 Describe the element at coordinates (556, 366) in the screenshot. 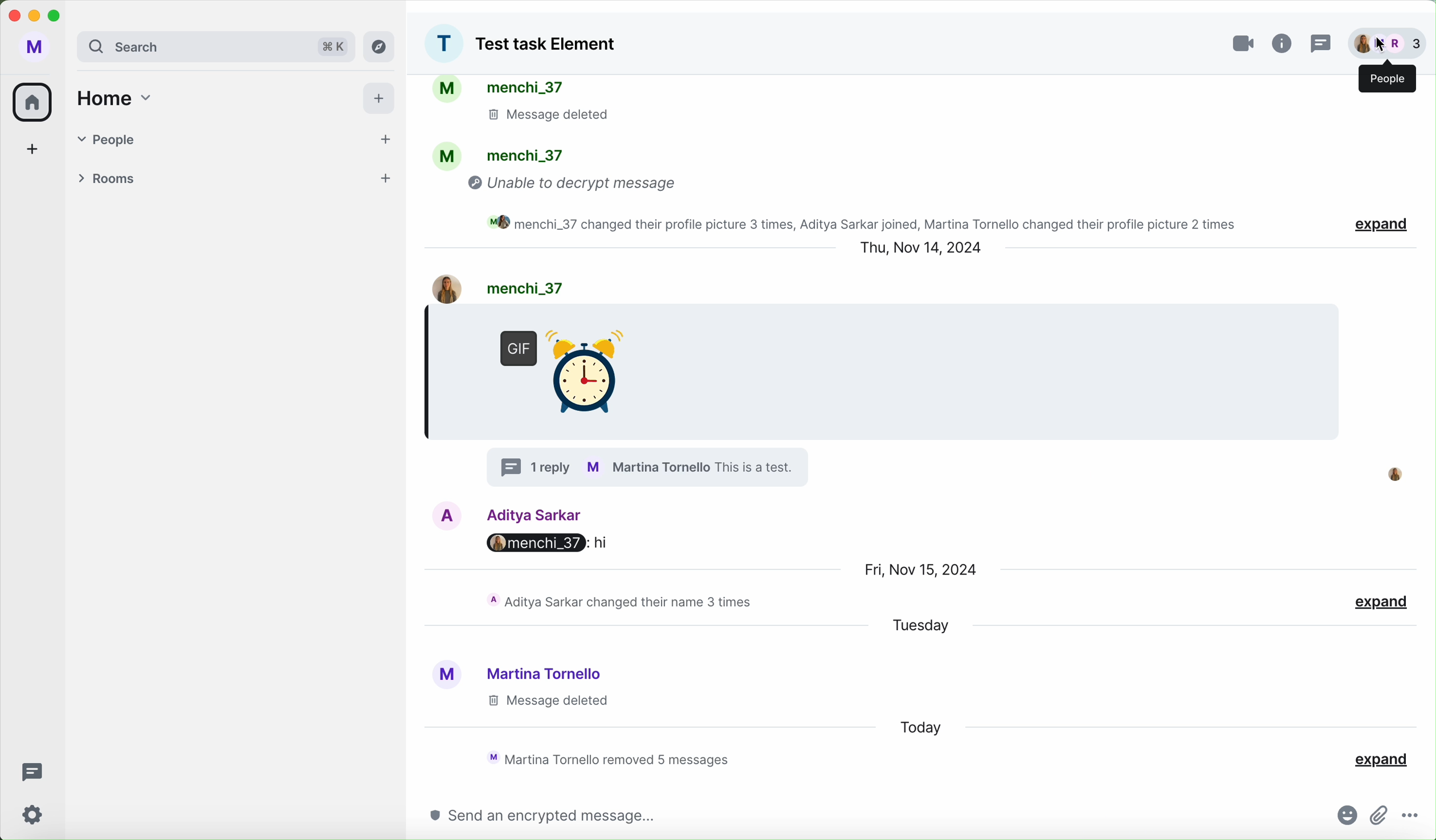

I see `GIF` at that location.